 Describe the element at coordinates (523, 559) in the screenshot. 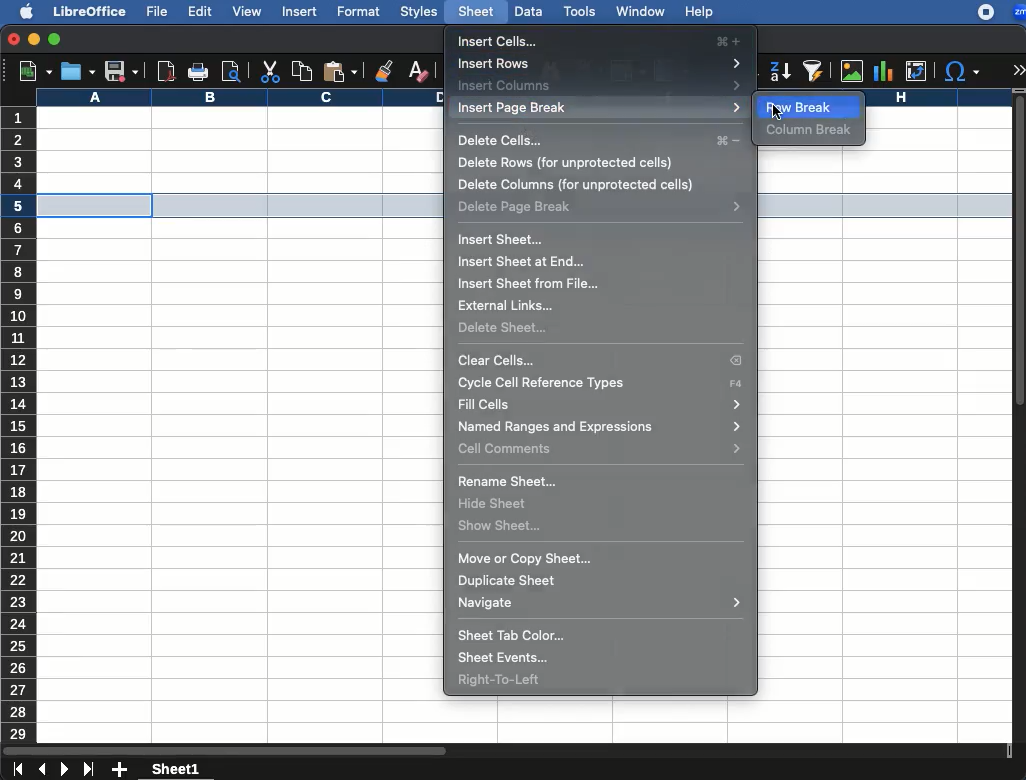

I see `move or copy sheet` at that location.